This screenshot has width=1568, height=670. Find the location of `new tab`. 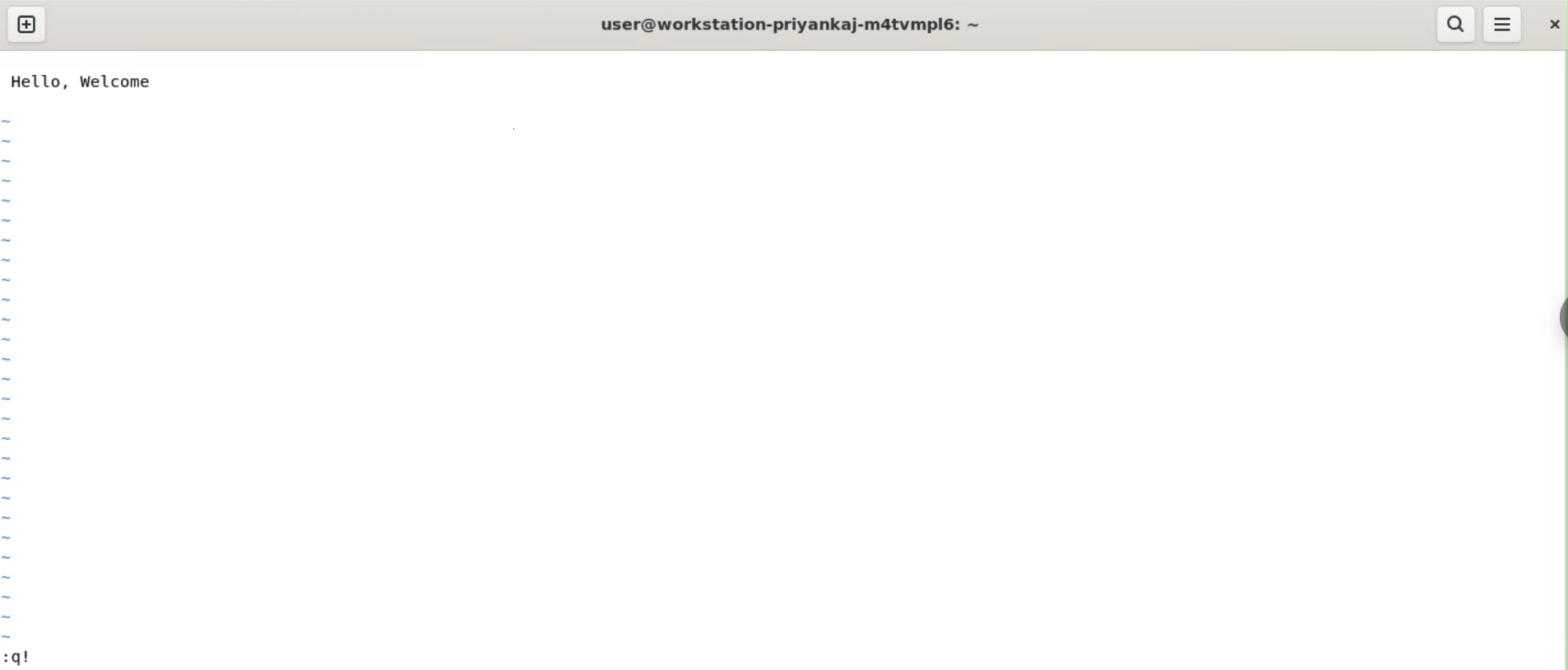

new tab is located at coordinates (26, 25).